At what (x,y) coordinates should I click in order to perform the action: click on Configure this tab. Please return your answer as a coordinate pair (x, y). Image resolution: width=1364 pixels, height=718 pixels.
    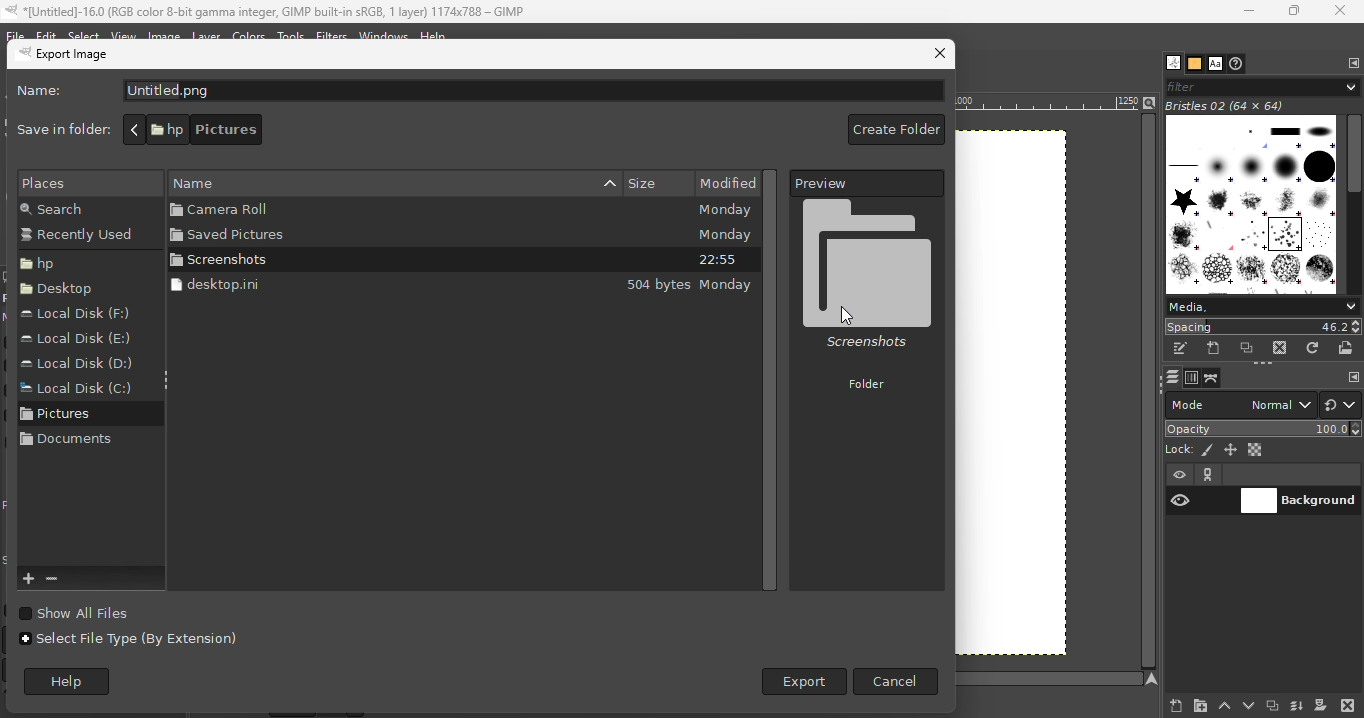
    Looking at the image, I should click on (1354, 63).